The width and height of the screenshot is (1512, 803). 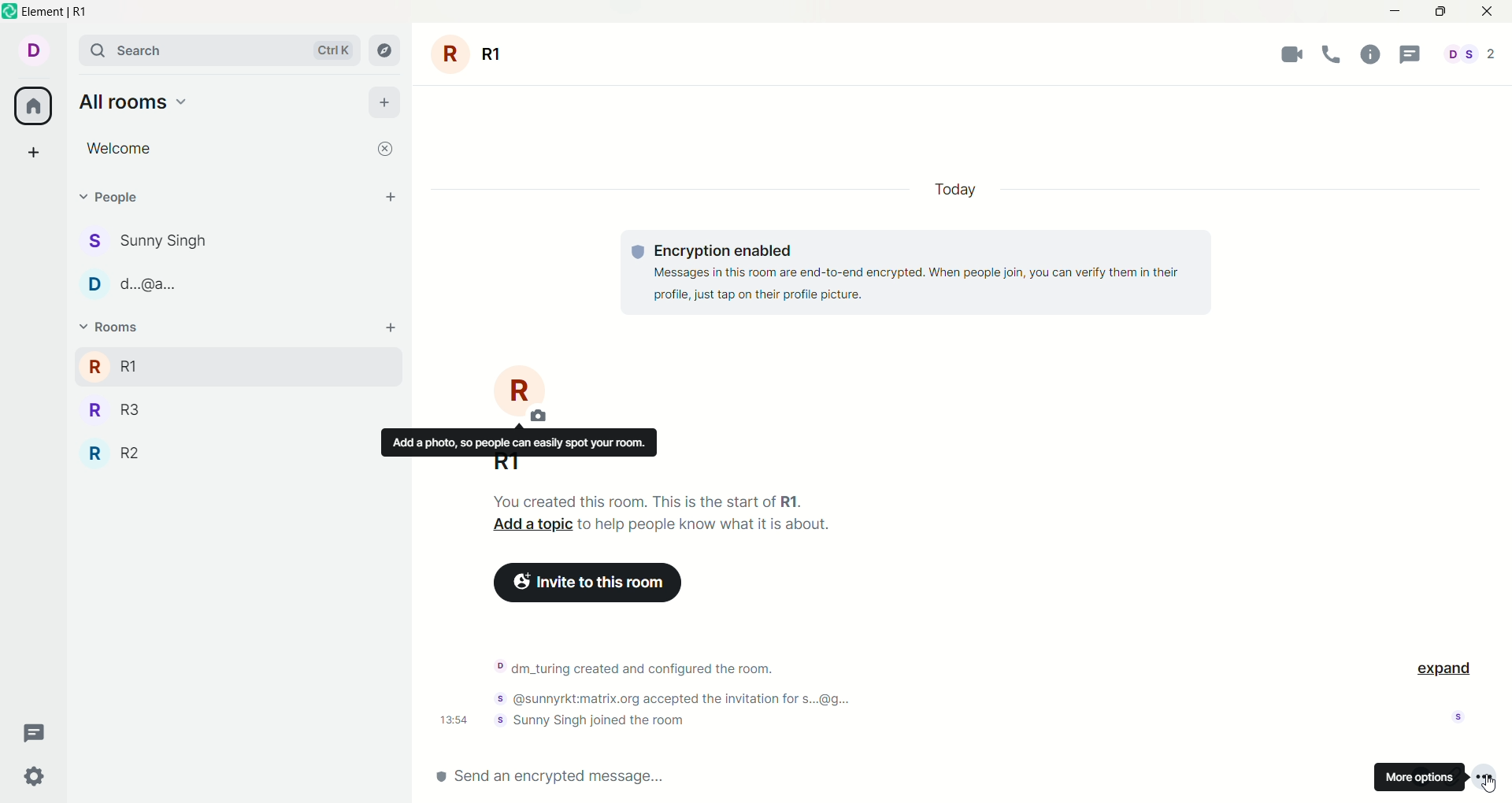 I want to click on Click to change image of current room, so click(x=521, y=393).